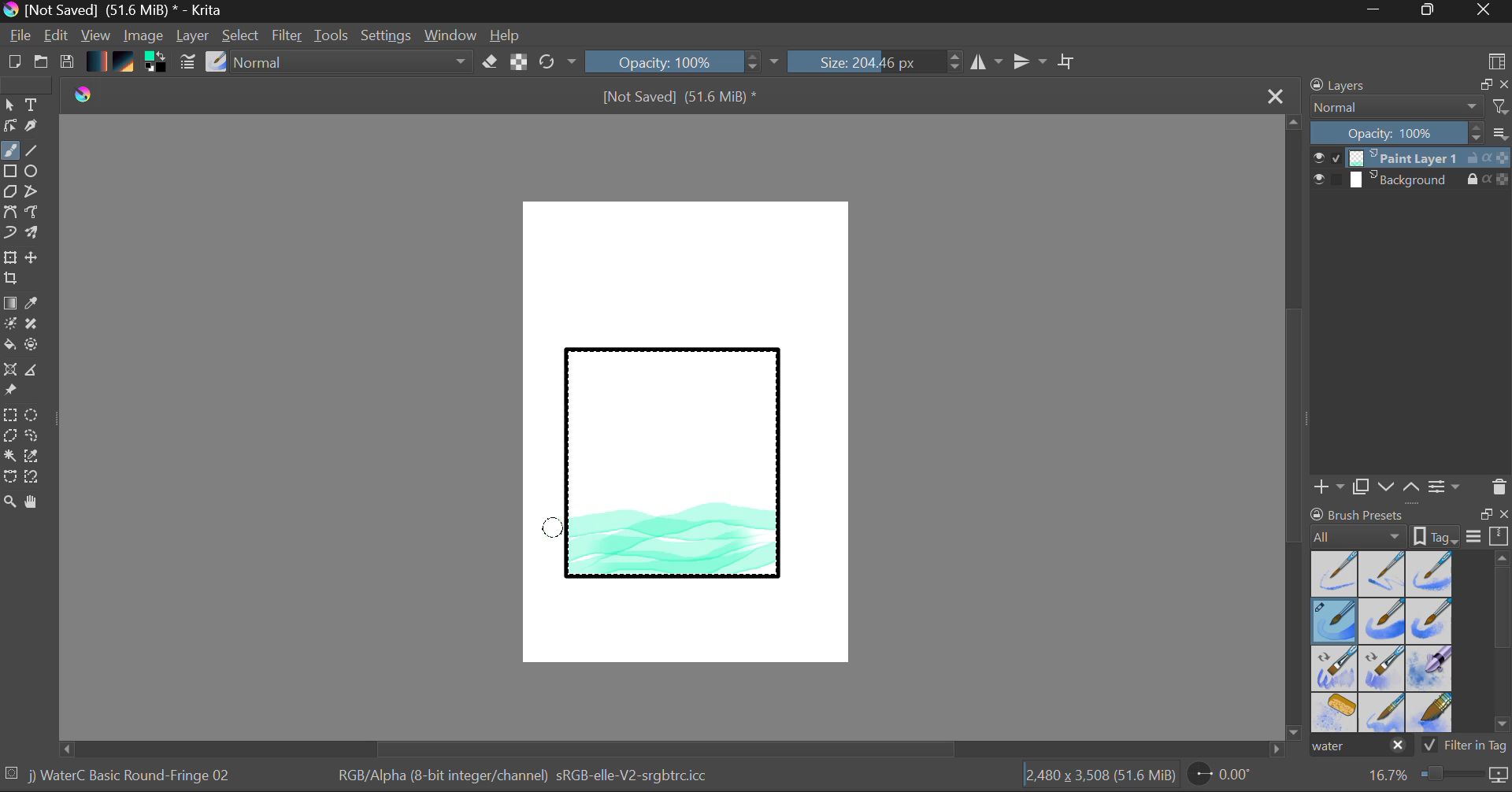 The image size is (1512, 792). What do you see at coordinates (1503, 645) in the screenshot?
I see `Scroll Bar` at bounding box center [1503, 645].